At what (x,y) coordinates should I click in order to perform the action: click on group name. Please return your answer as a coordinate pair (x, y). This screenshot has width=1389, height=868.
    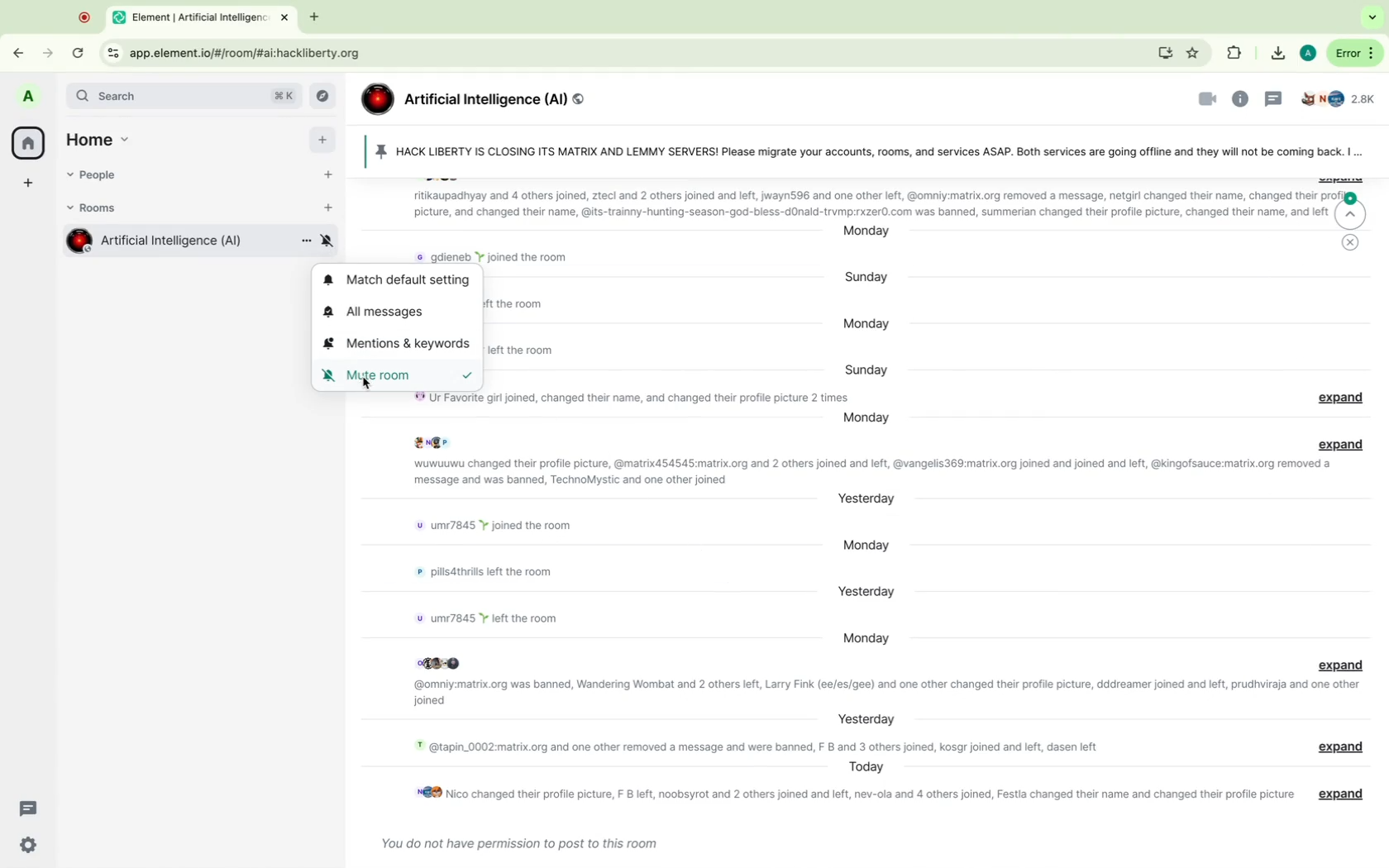
    Looking at the image, I should click on (481, 94).